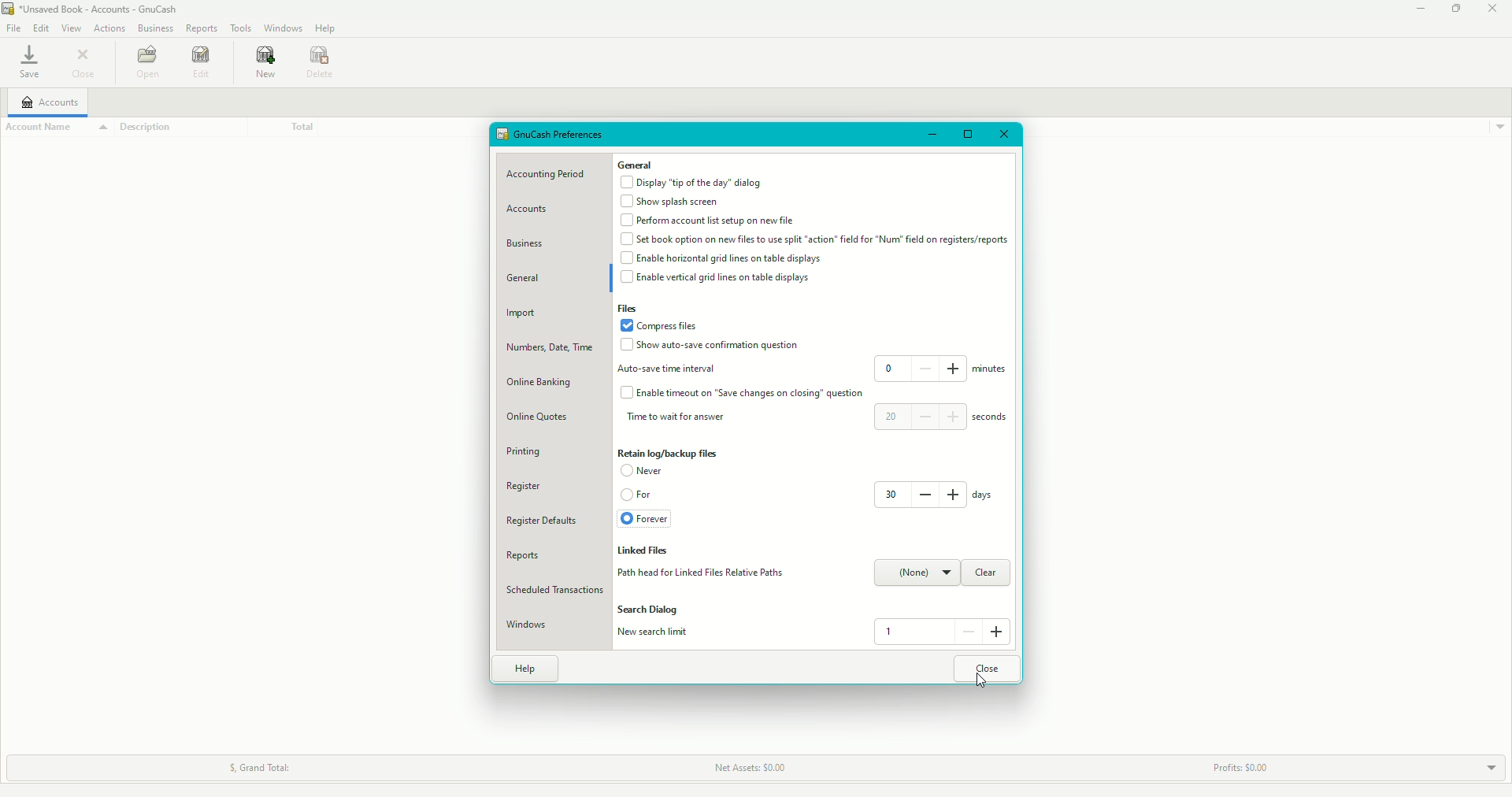 This screenshot has width=1512, height=797. What do you see at coordinates (724, 258) in the screenshot?
I see `Enable horizontal grid` at bounding box center [724, 258].